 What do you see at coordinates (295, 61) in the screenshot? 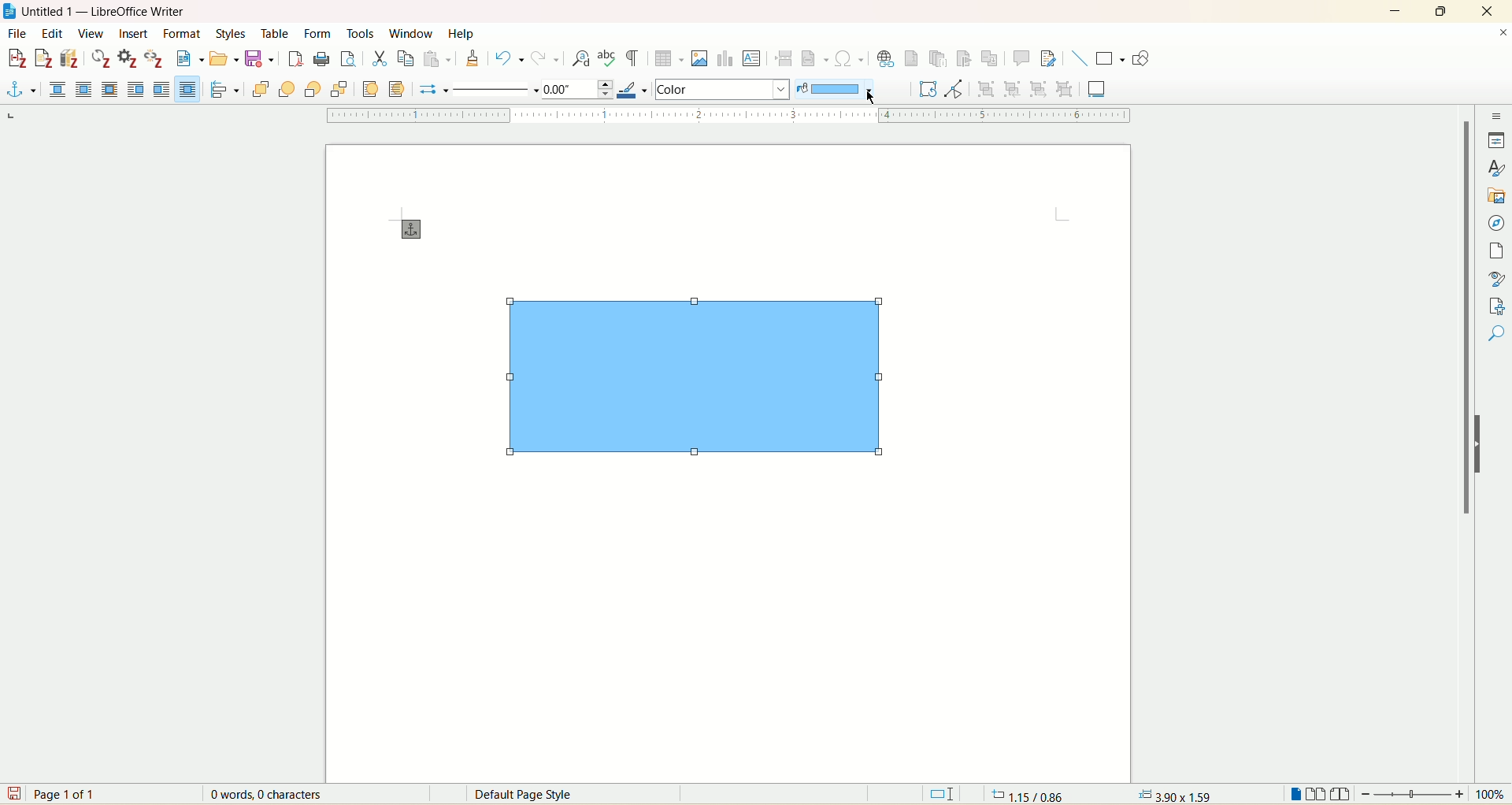
I see `export as PDF` at bounding box center [295, 61].